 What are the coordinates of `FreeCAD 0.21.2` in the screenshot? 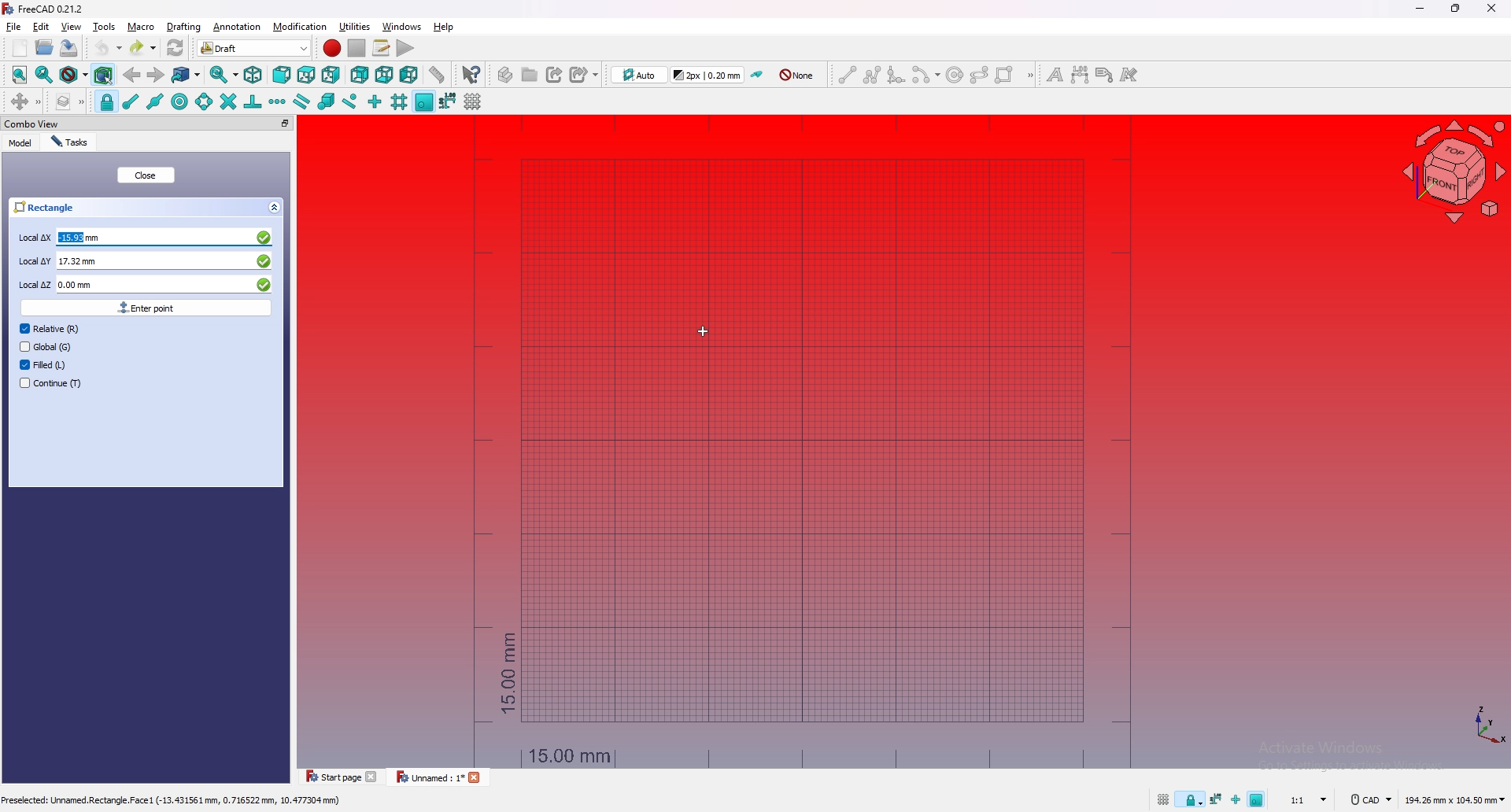 It's located at (43, 9).